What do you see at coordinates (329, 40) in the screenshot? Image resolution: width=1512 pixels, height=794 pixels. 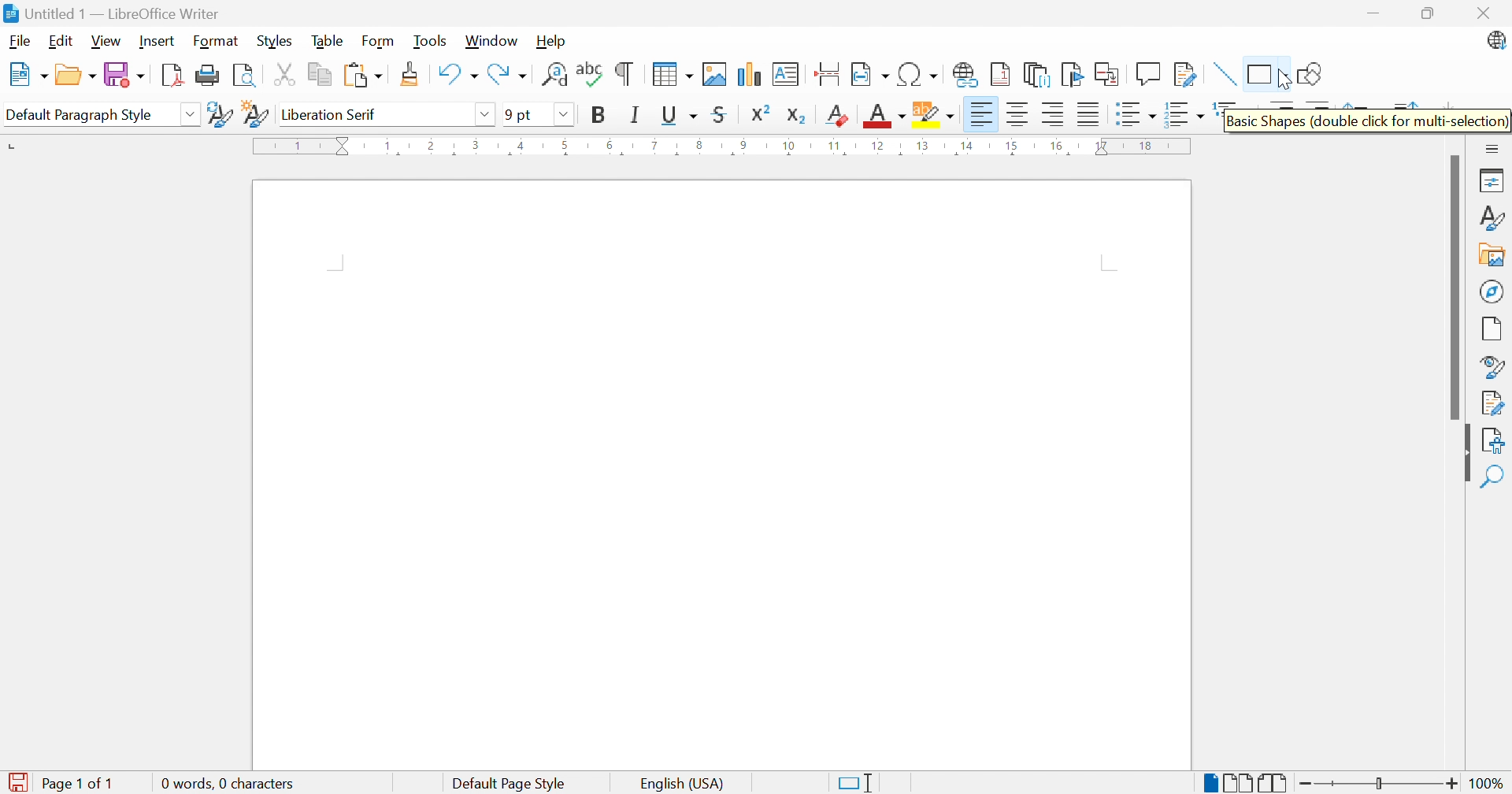 I see `Table` at bounding box center [329, 40].